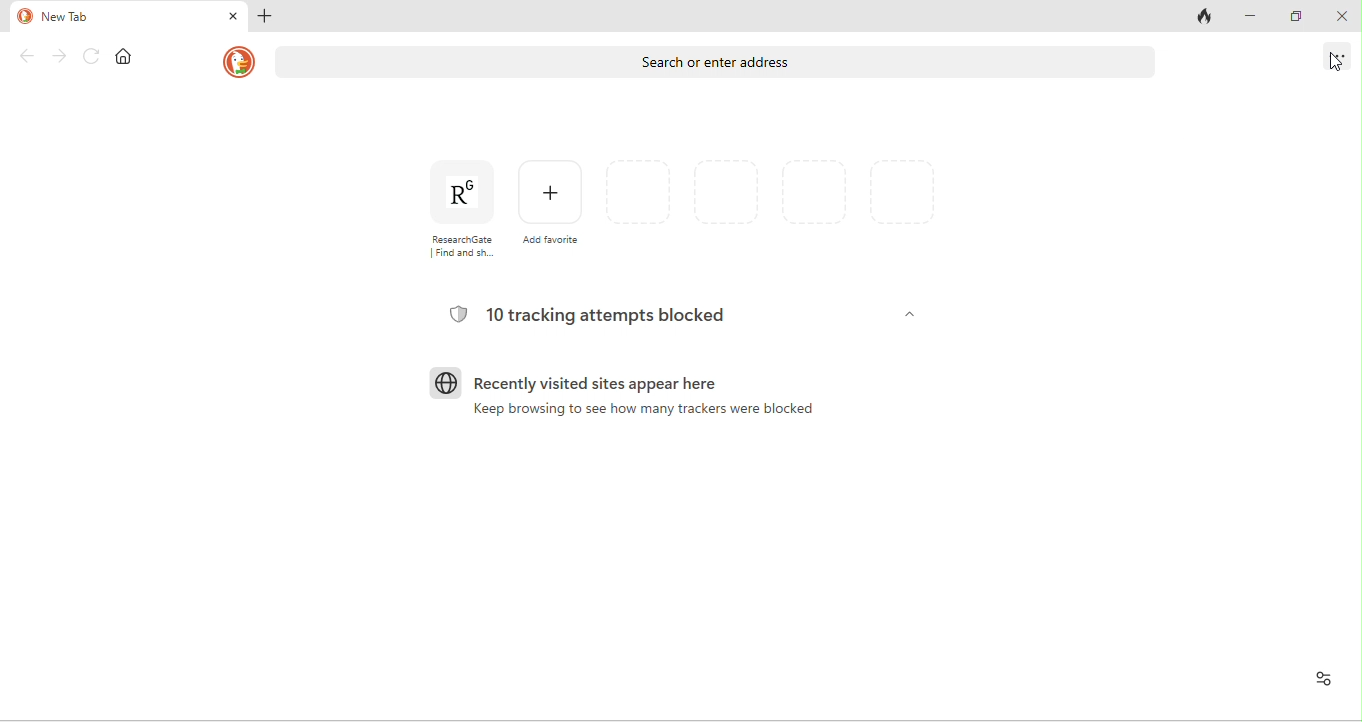 The image size is (1362, 722). Describe the element at coordinates (26, 56) in the screenshot. I see `back` at that location.